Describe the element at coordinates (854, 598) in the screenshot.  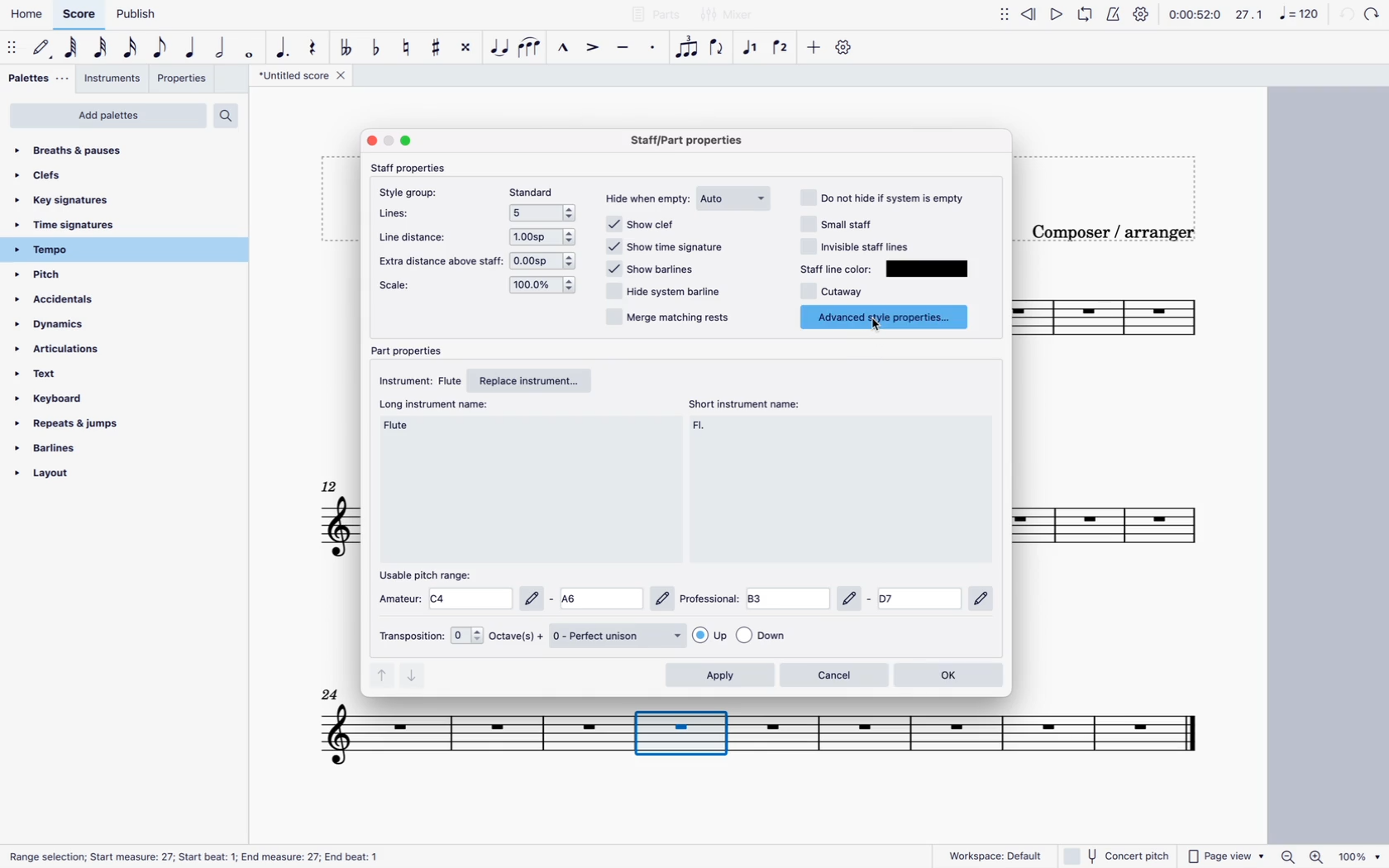
I see `` at that location.